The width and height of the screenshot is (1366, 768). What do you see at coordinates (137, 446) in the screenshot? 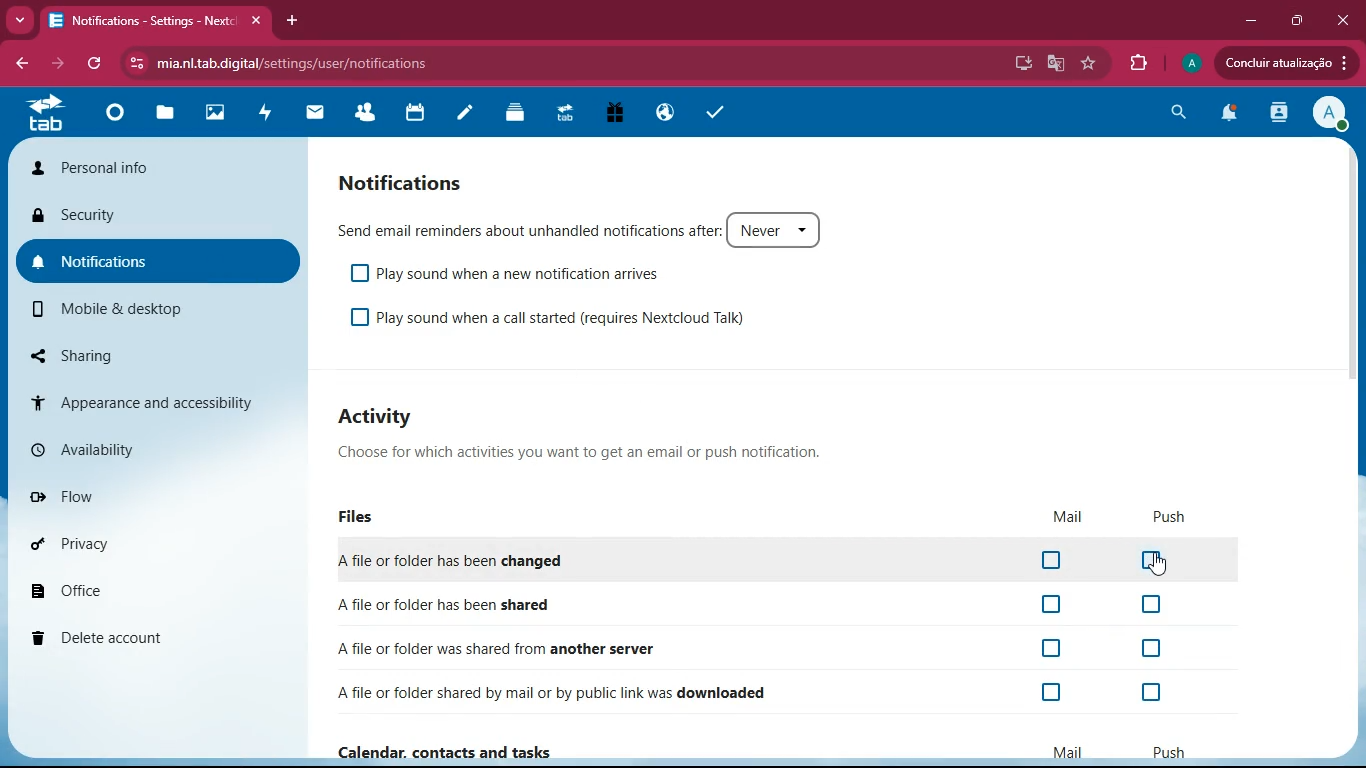
I see `availability` at bounding box center [137, 446].